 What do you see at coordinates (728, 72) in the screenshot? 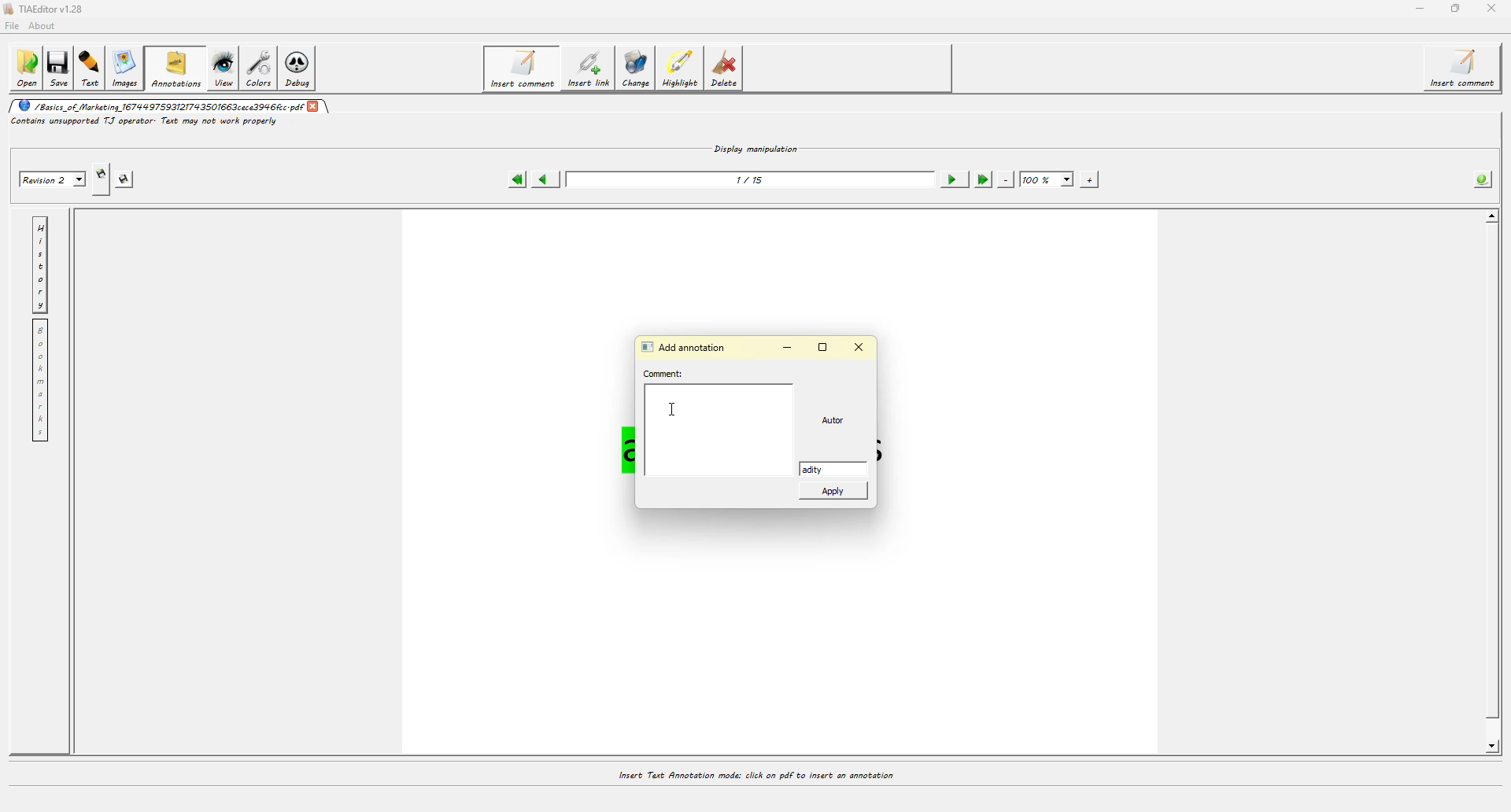
I see `delete` at bounding box center [728, 72].